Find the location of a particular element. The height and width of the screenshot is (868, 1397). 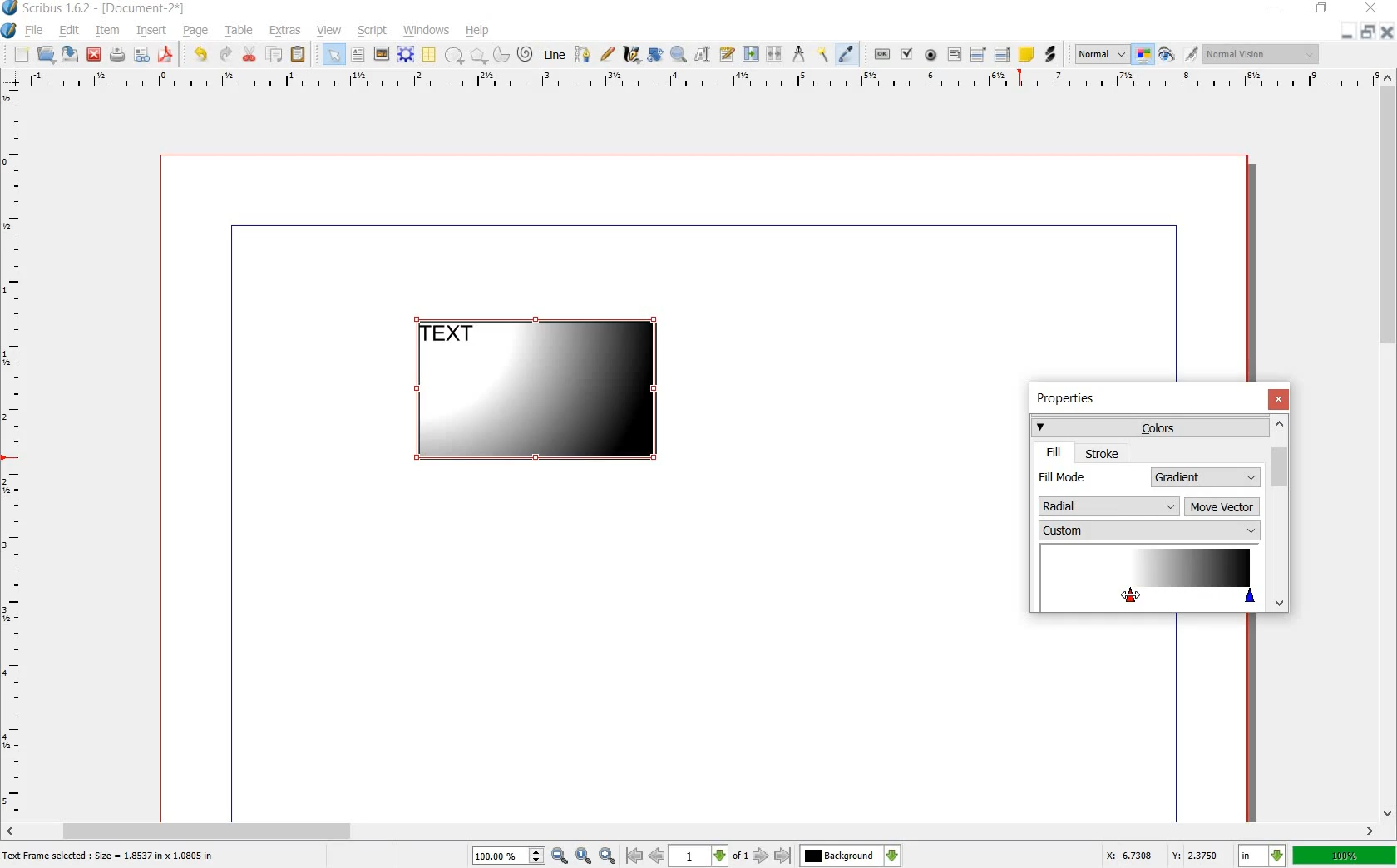

scroll bar is located at coordinates (1389, 446).